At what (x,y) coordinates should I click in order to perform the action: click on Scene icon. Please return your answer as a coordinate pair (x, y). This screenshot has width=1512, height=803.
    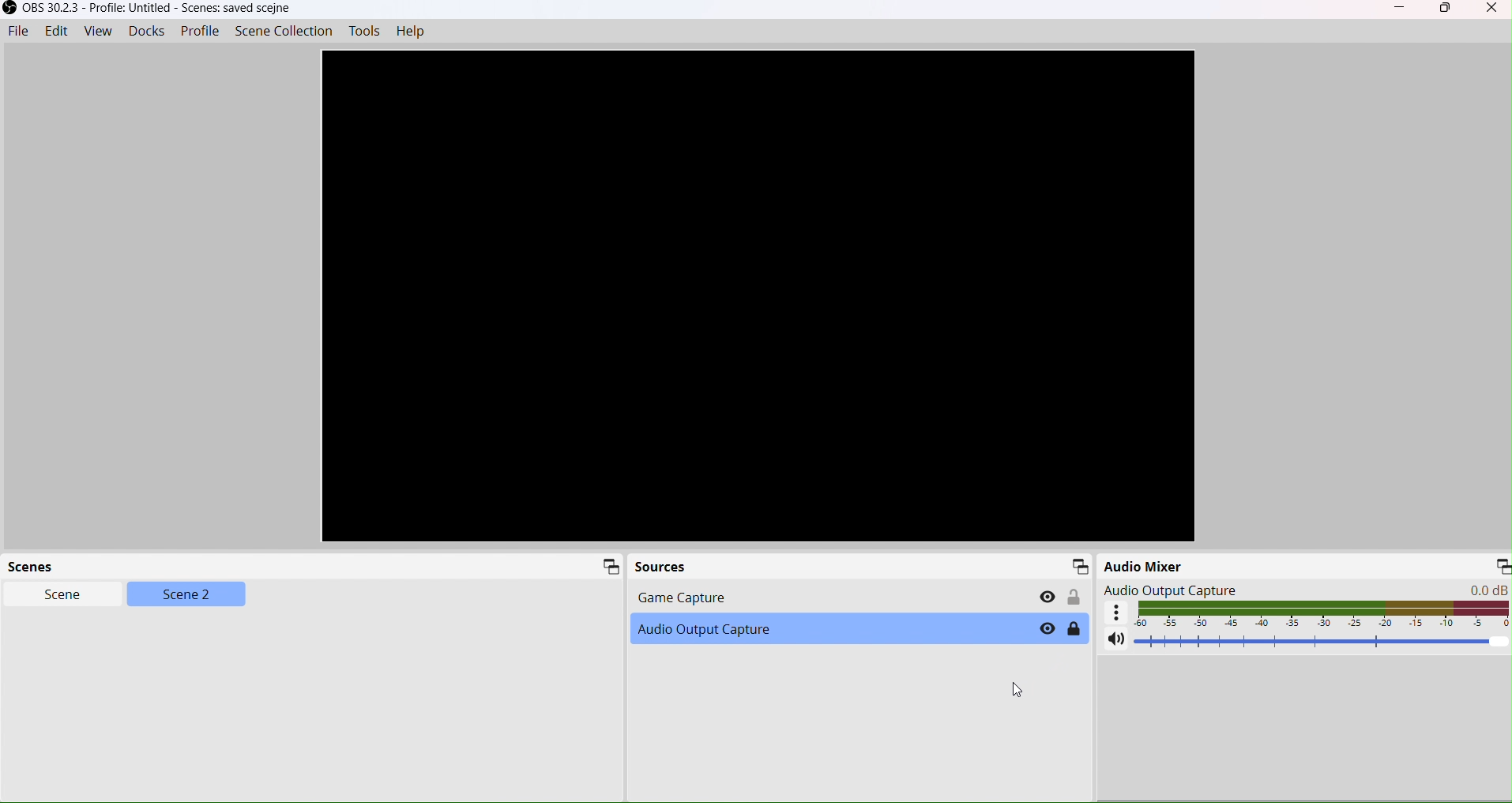
    Looking at the image, I should click on (607, 566).